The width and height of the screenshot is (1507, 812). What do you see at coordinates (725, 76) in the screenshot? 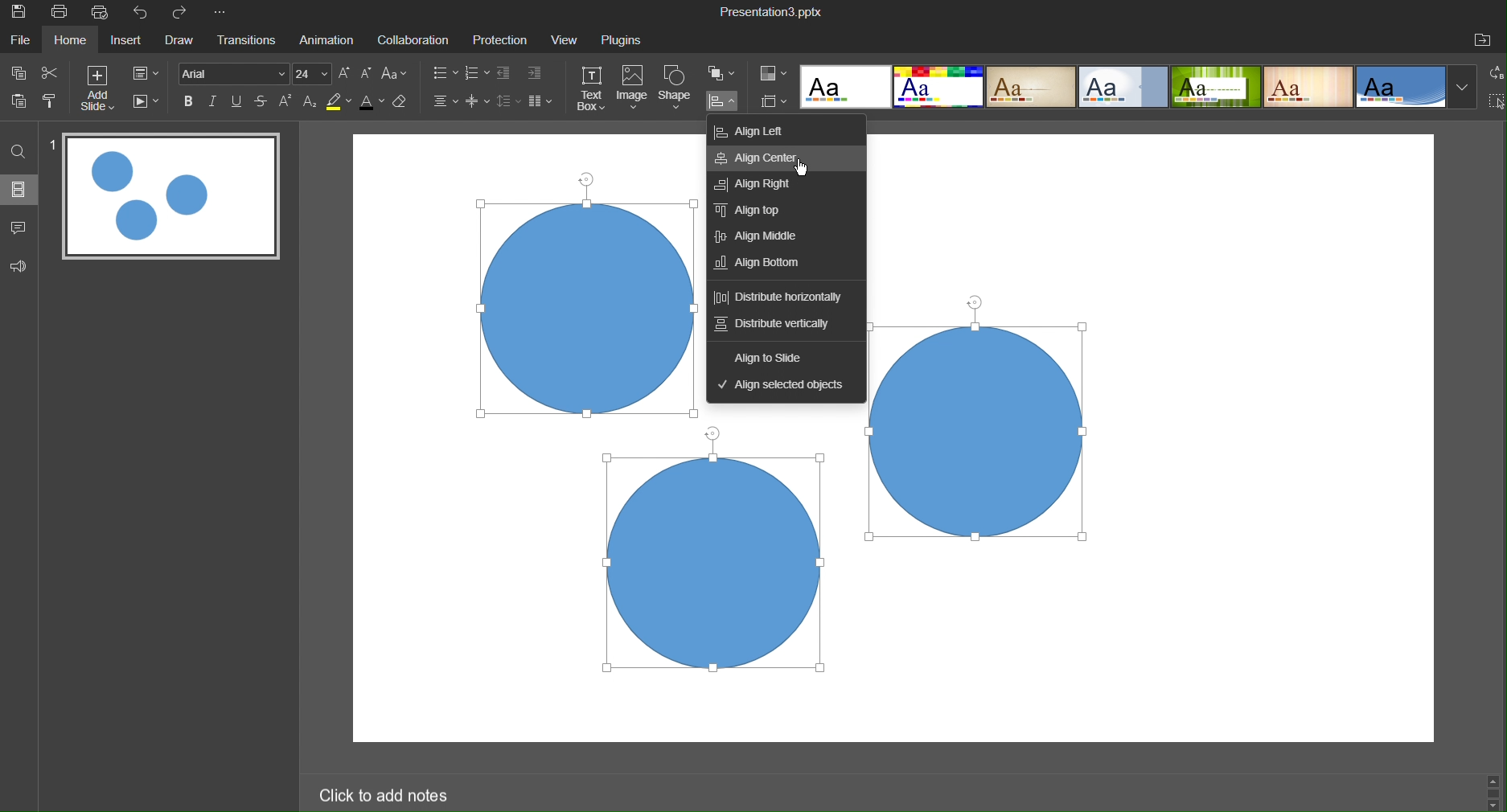
I see `Arrange` at bounding box center [725, 76].